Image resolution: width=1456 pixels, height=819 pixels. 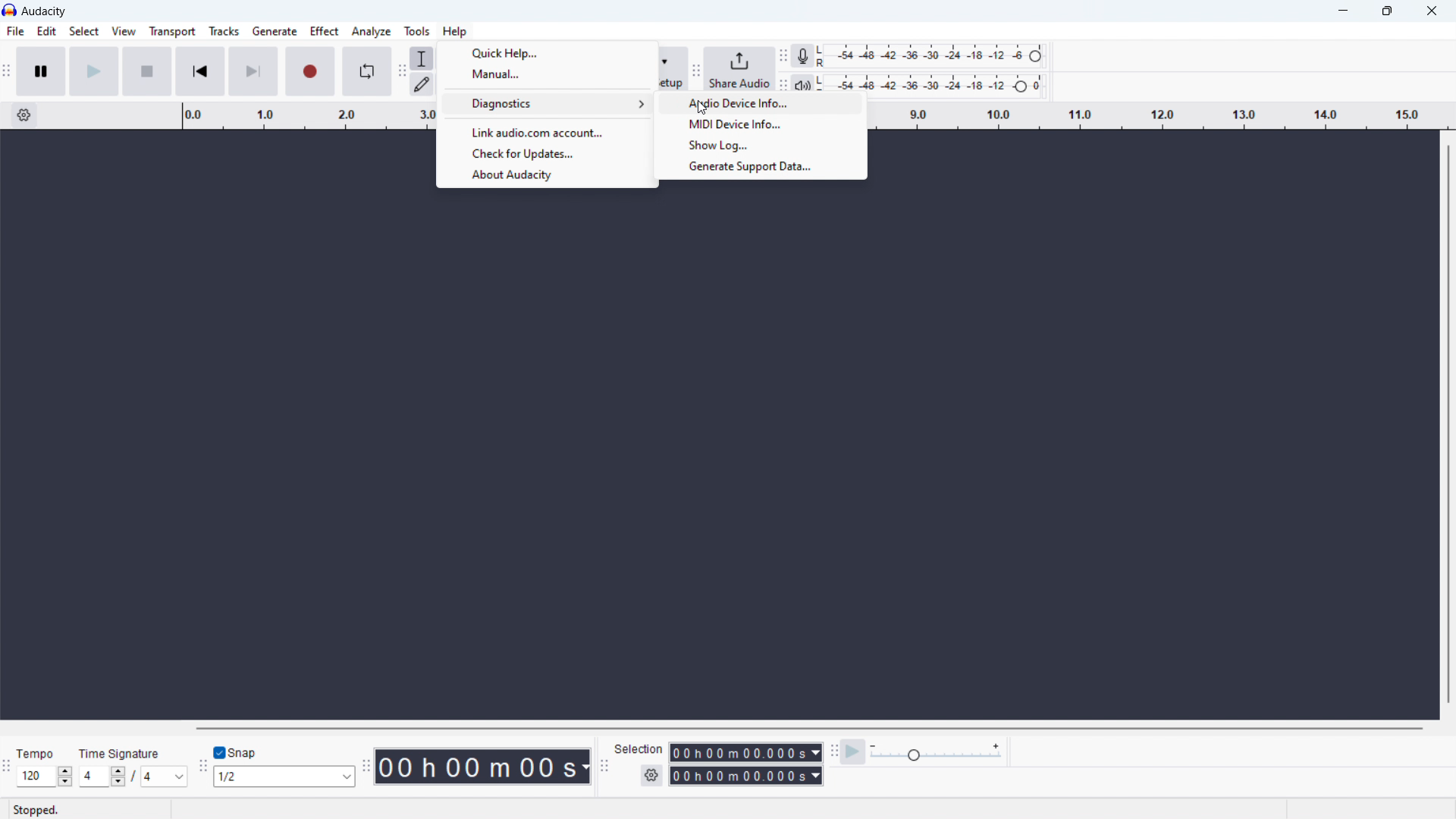 What do you see at coordinates (124, 31) in the screenshot?
I see `view` at bounding box center [124, 31].